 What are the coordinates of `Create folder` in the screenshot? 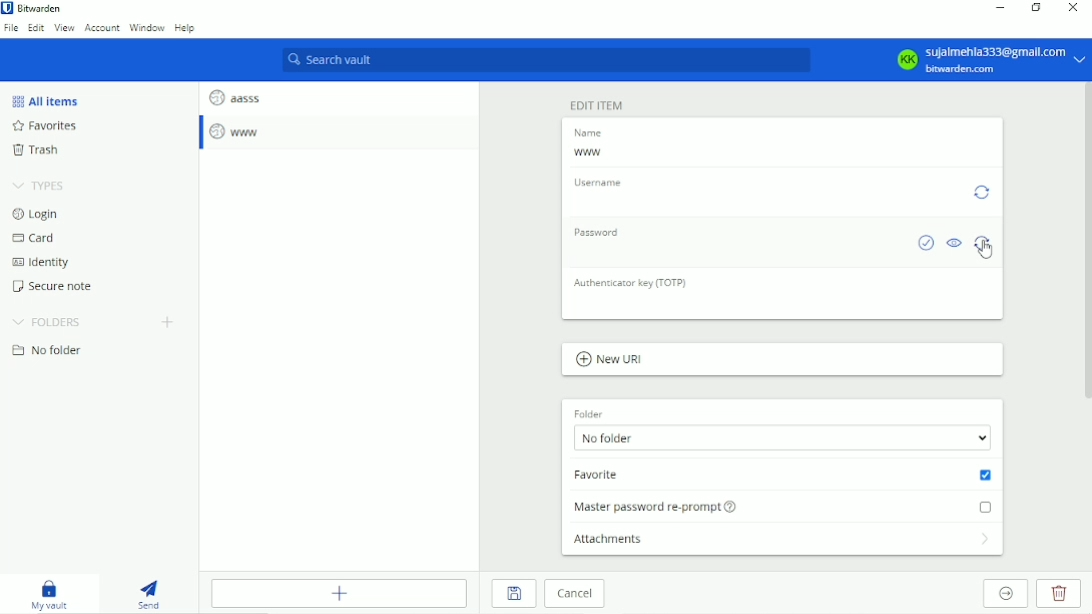 It's located at (170, 322).